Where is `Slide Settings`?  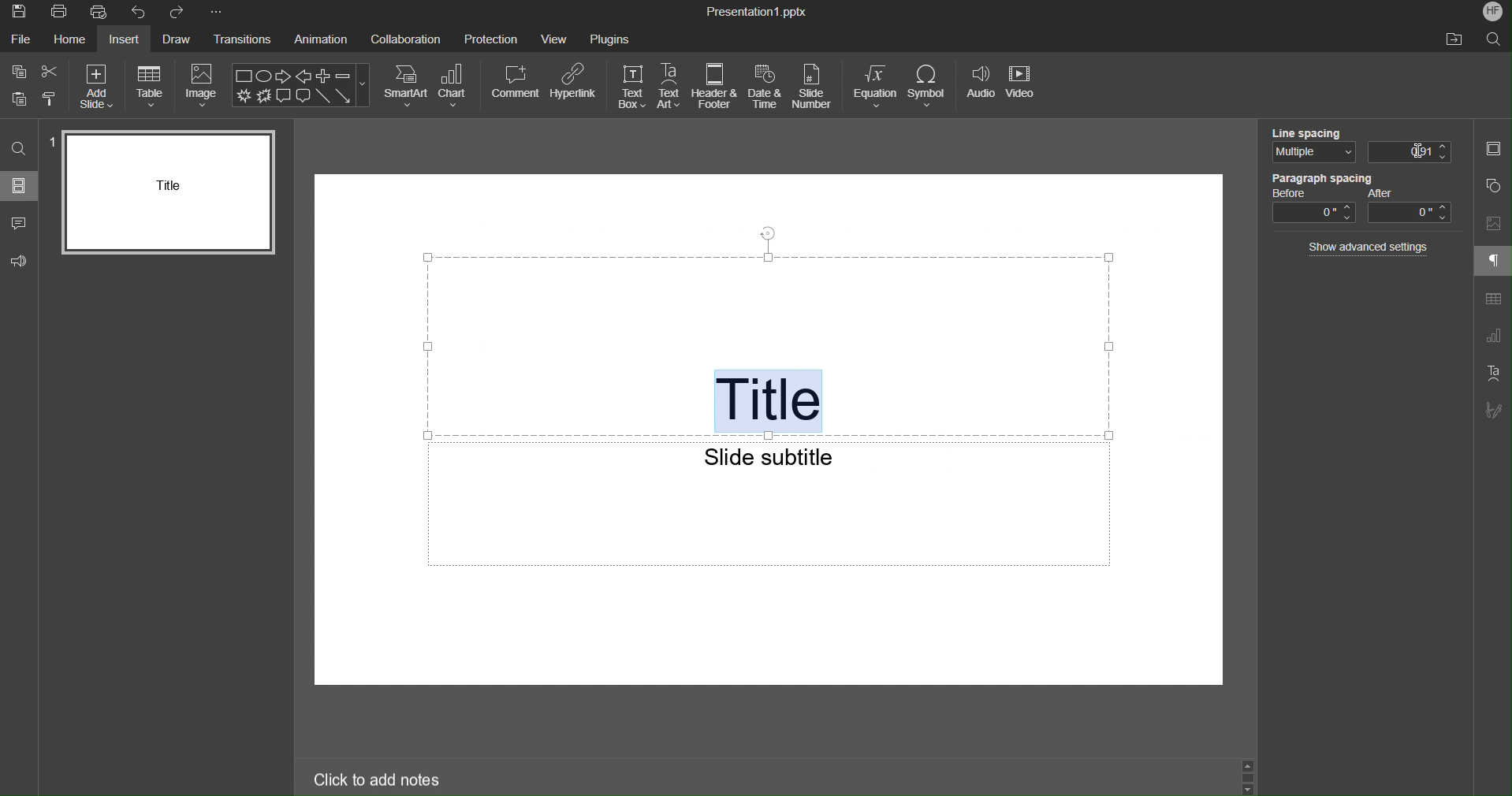
Slide Settings is located at coordinates (1493, 151).